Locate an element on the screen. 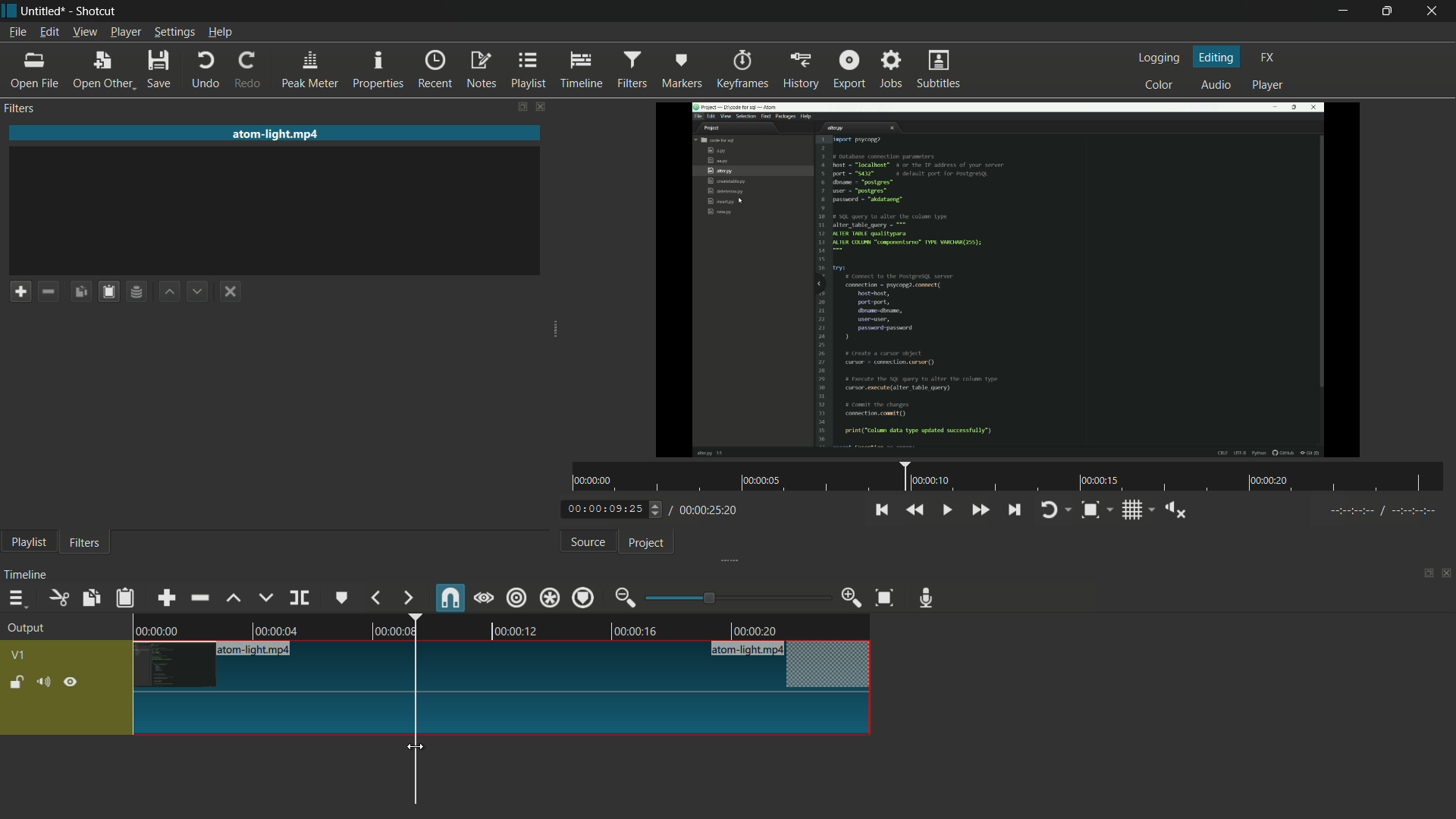  maximize is located at coordinates (1390, 11).